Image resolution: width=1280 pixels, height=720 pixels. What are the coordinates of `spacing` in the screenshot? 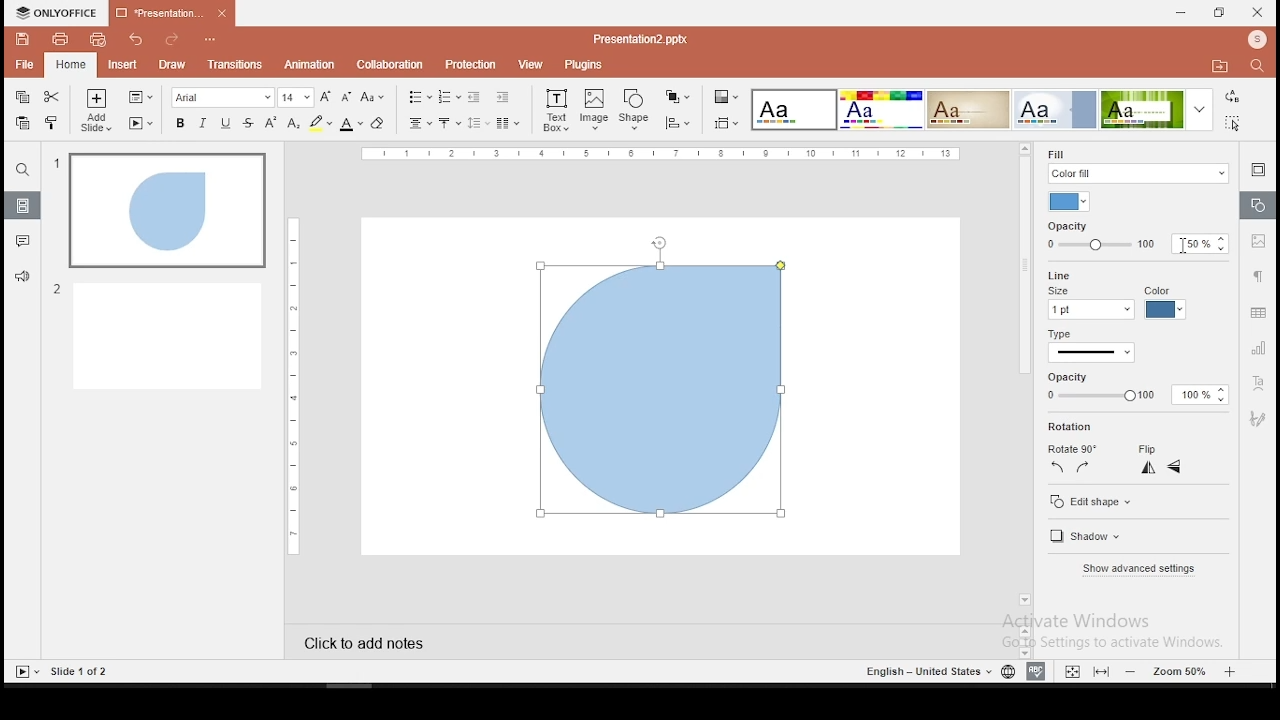 It's located at (477, 122).